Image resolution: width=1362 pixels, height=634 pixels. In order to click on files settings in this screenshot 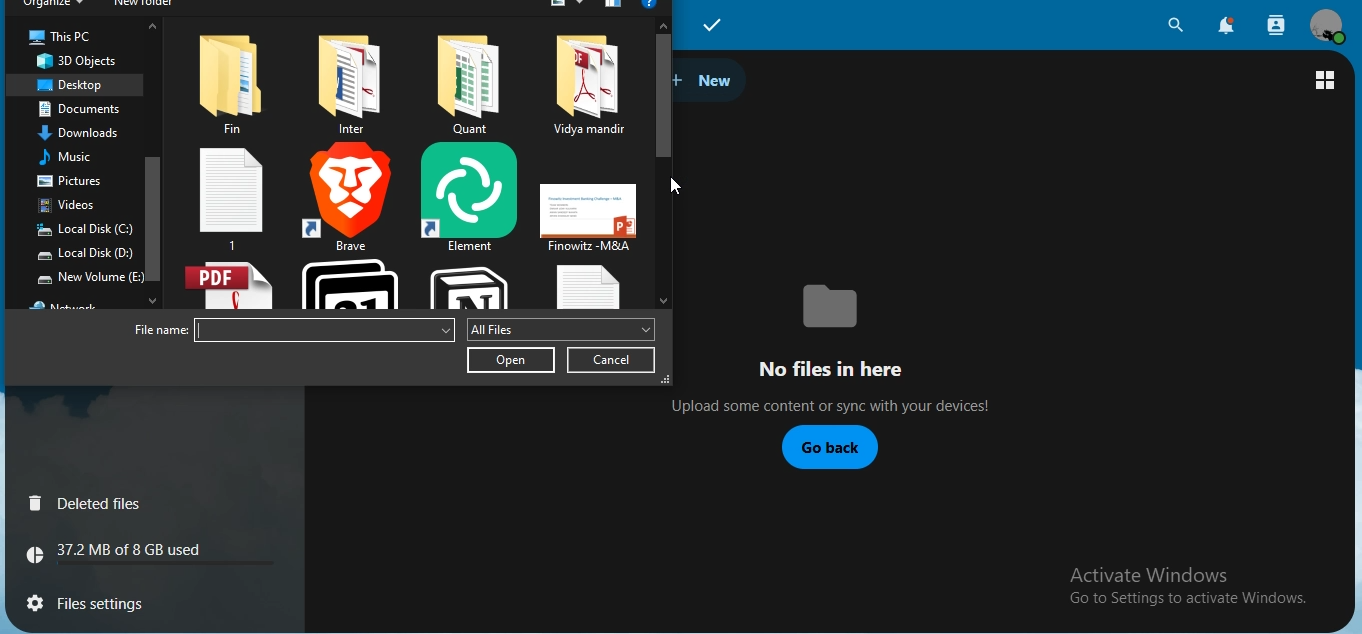, I will do `click(117, 600)`.